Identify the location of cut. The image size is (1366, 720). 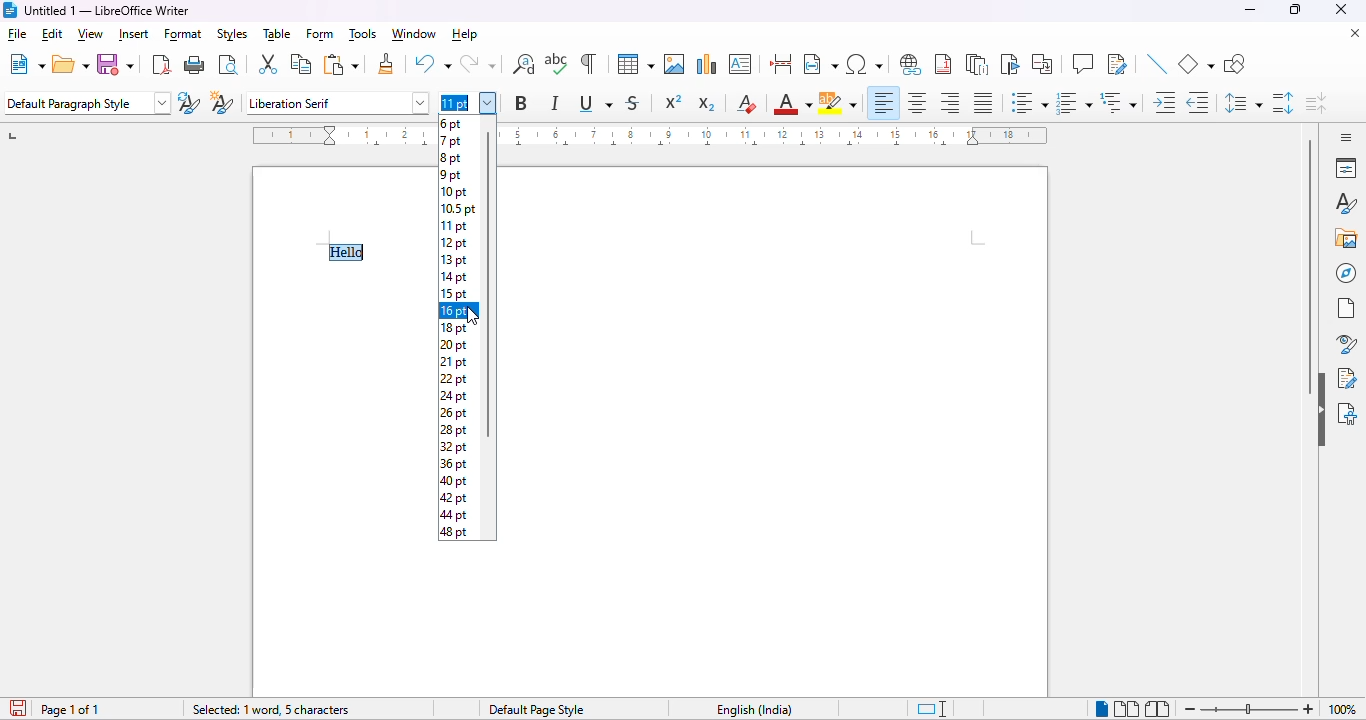
(269, 65).